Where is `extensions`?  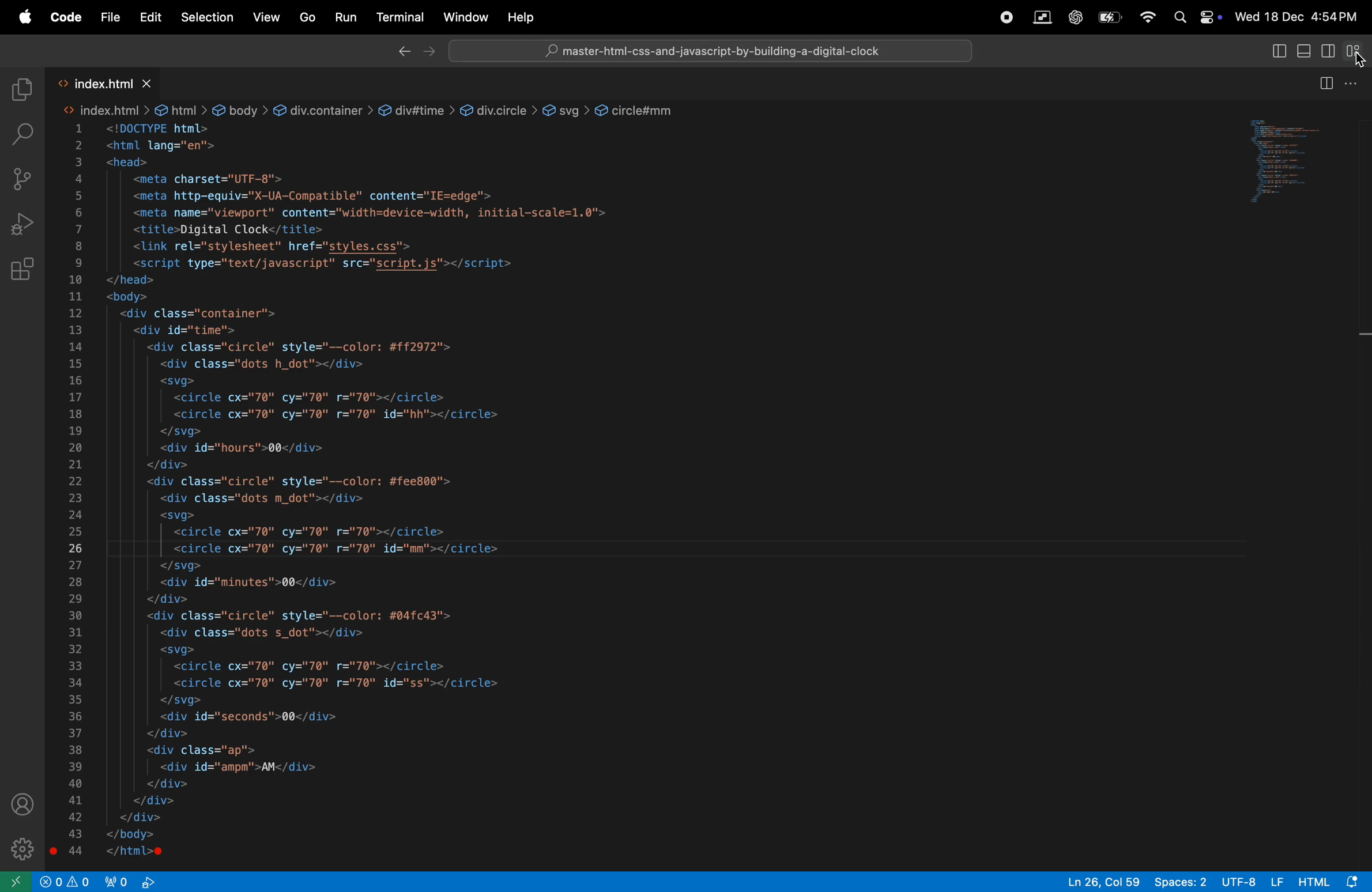 extensions is located at coordinates (24, 271).